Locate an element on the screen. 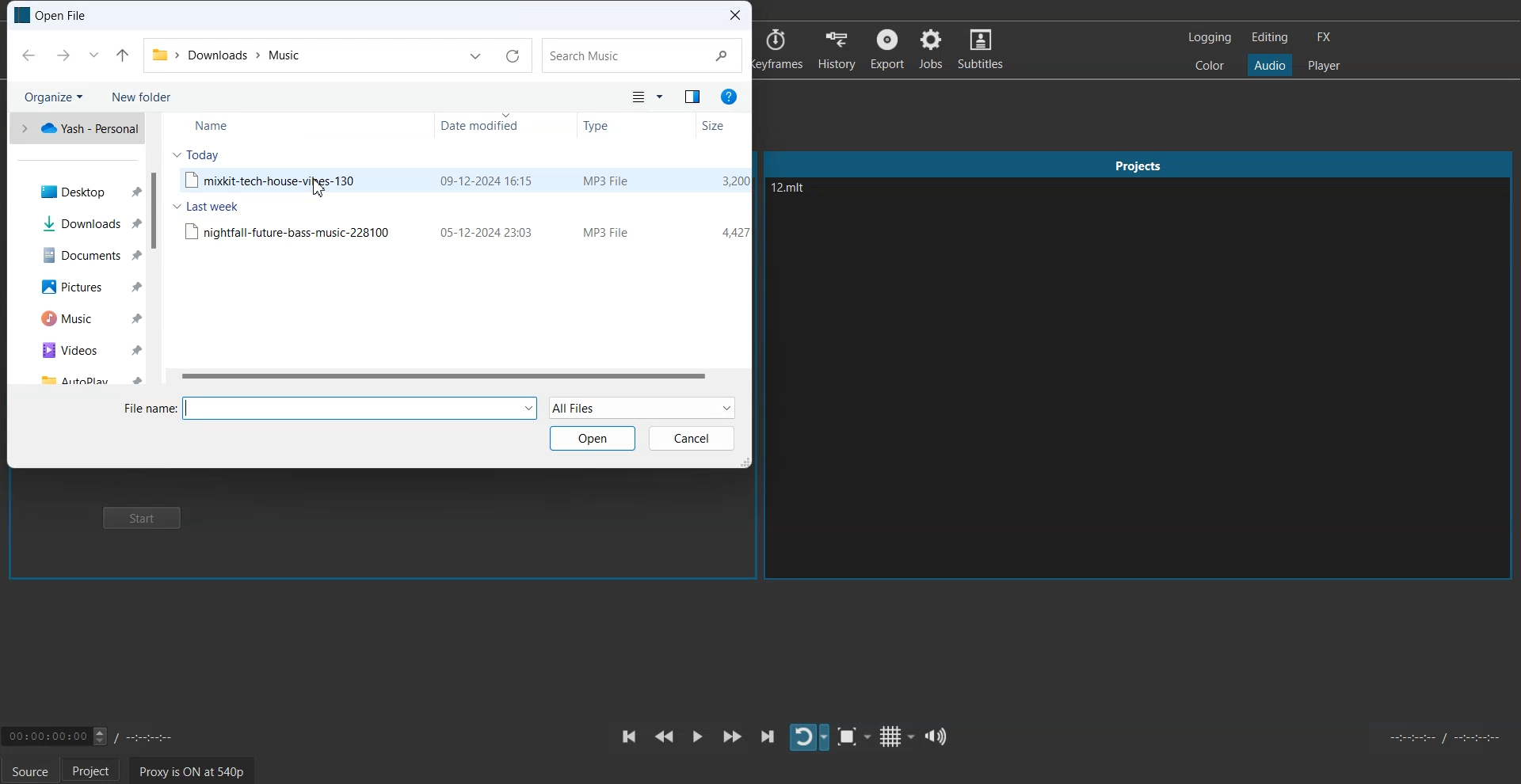 This screenshot has height=784, width=1521. Desktop is located at coordinates (75, 190).